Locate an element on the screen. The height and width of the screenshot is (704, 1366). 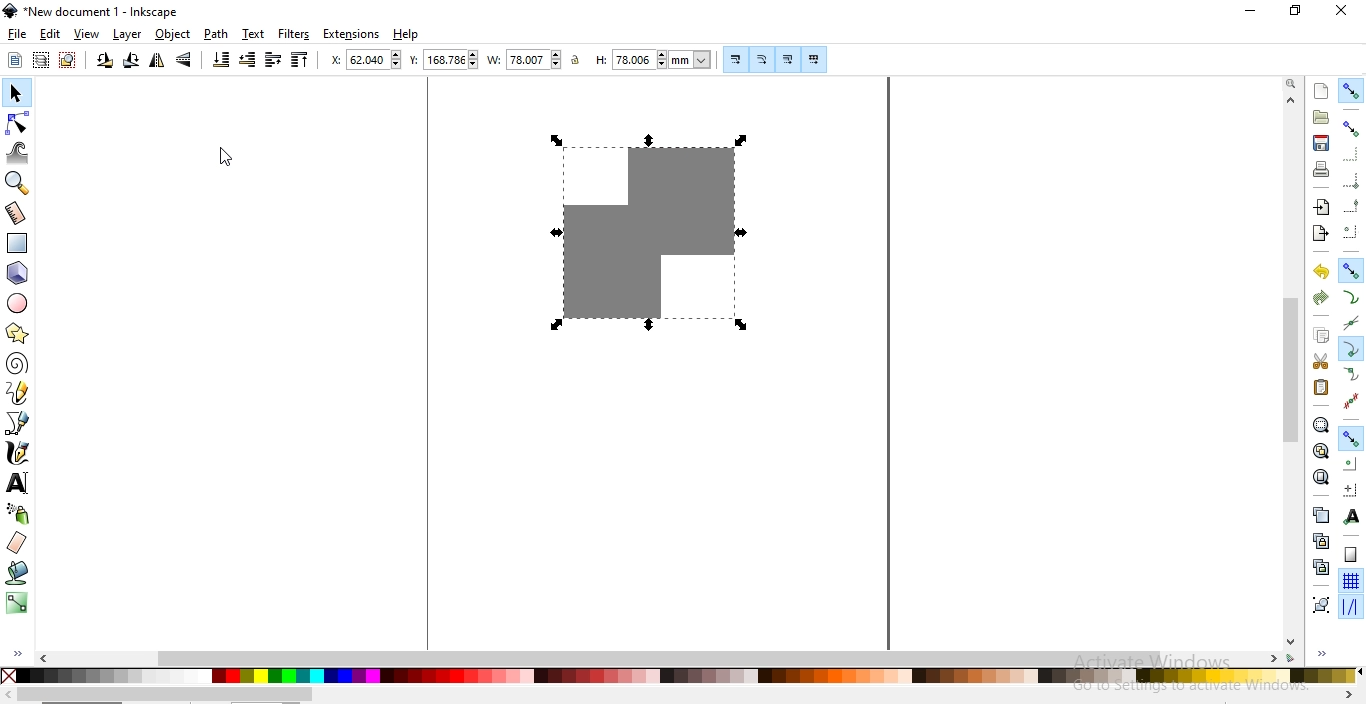
snap text anchors and baselines is located at coordinates (1350, 518).